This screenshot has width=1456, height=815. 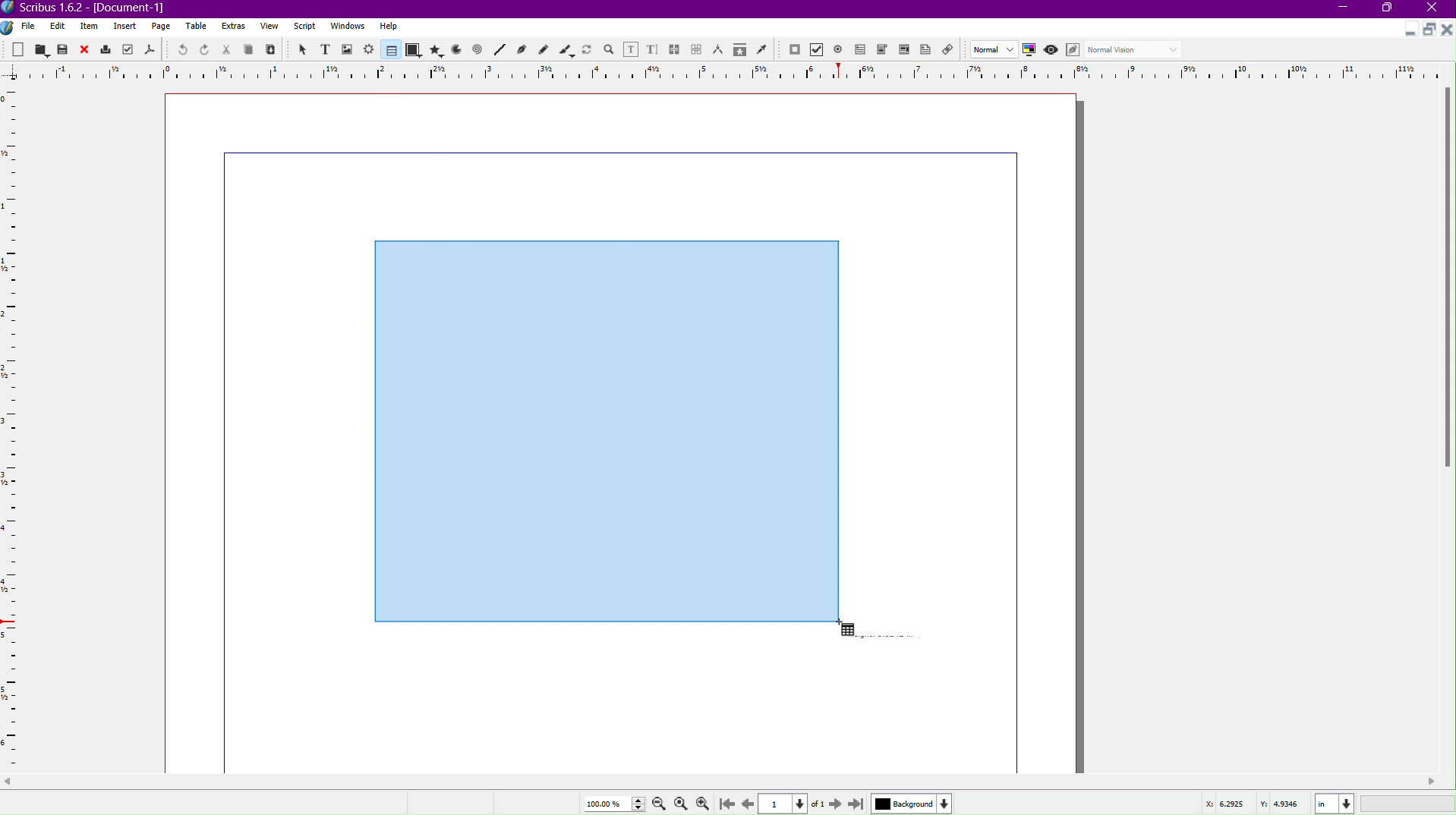 I want to click on Script, so click(x=304, y=27).